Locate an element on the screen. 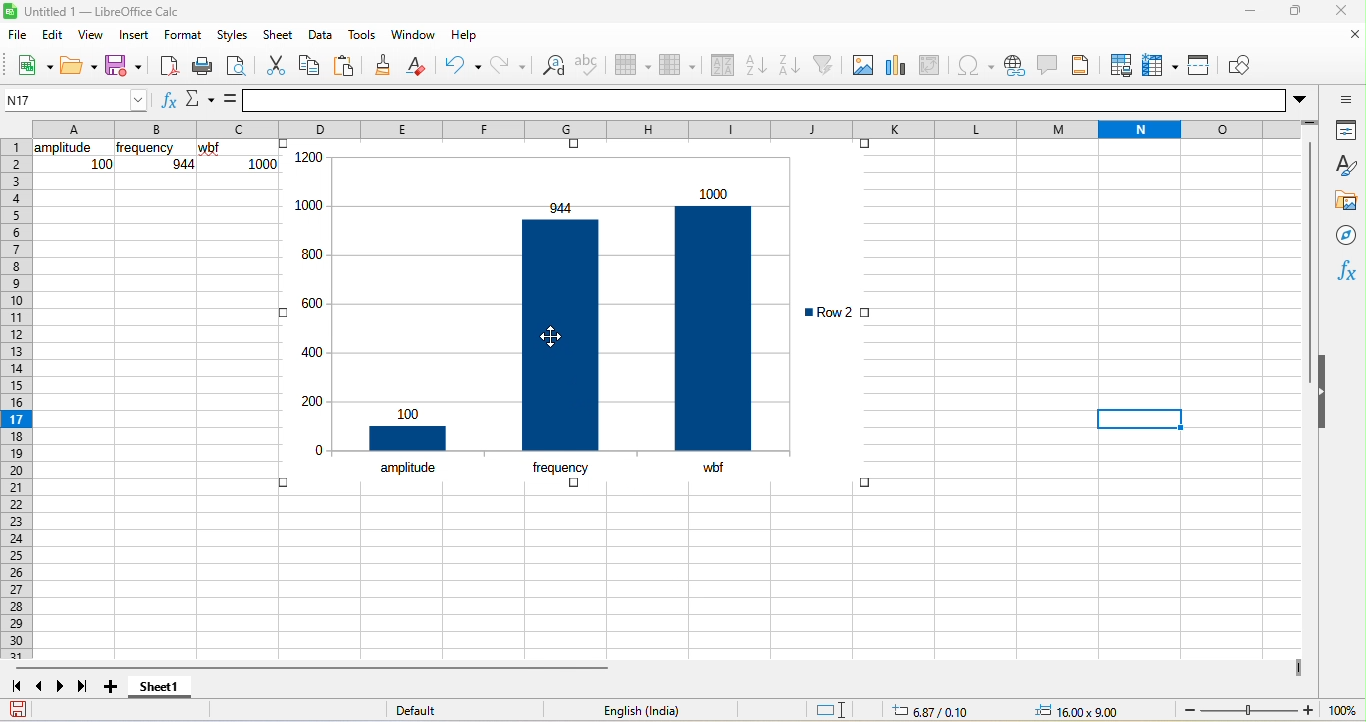 The height and width of the screenshot is (722, 1366). image is located at coordinates (862, 66).